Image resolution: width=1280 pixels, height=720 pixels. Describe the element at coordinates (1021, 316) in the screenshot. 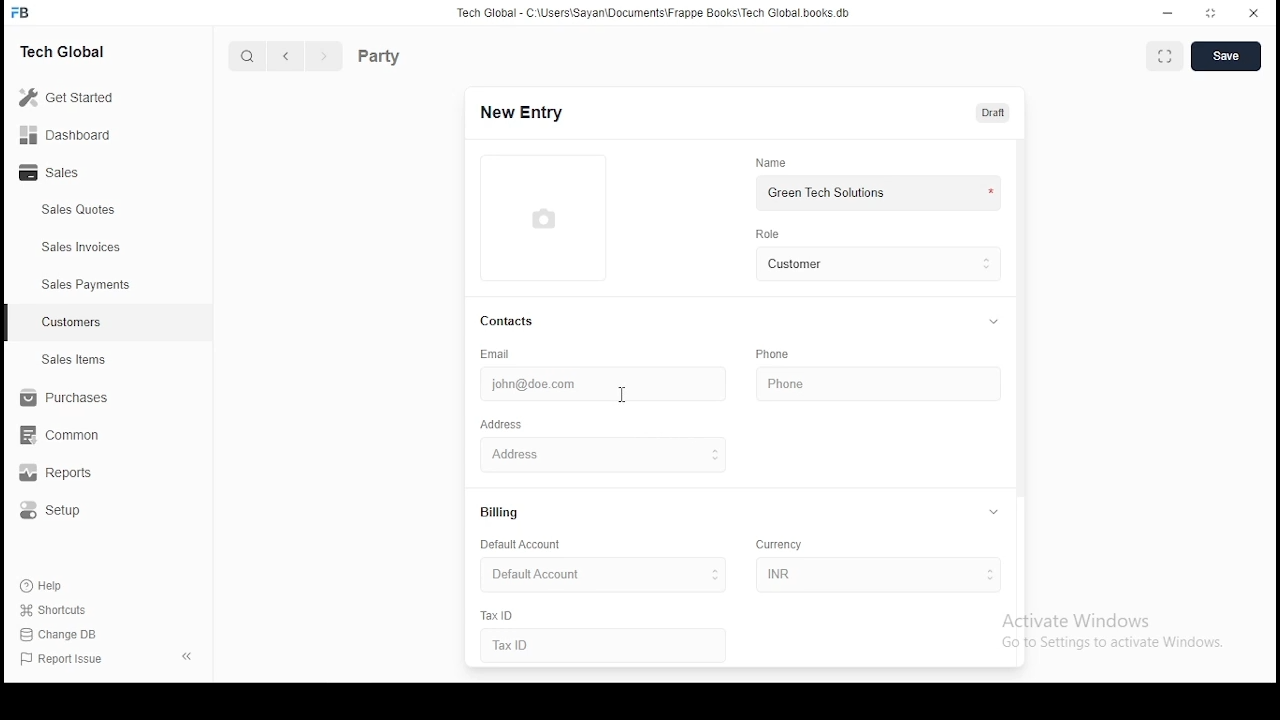

I see `vertical scroll bar` at that location.